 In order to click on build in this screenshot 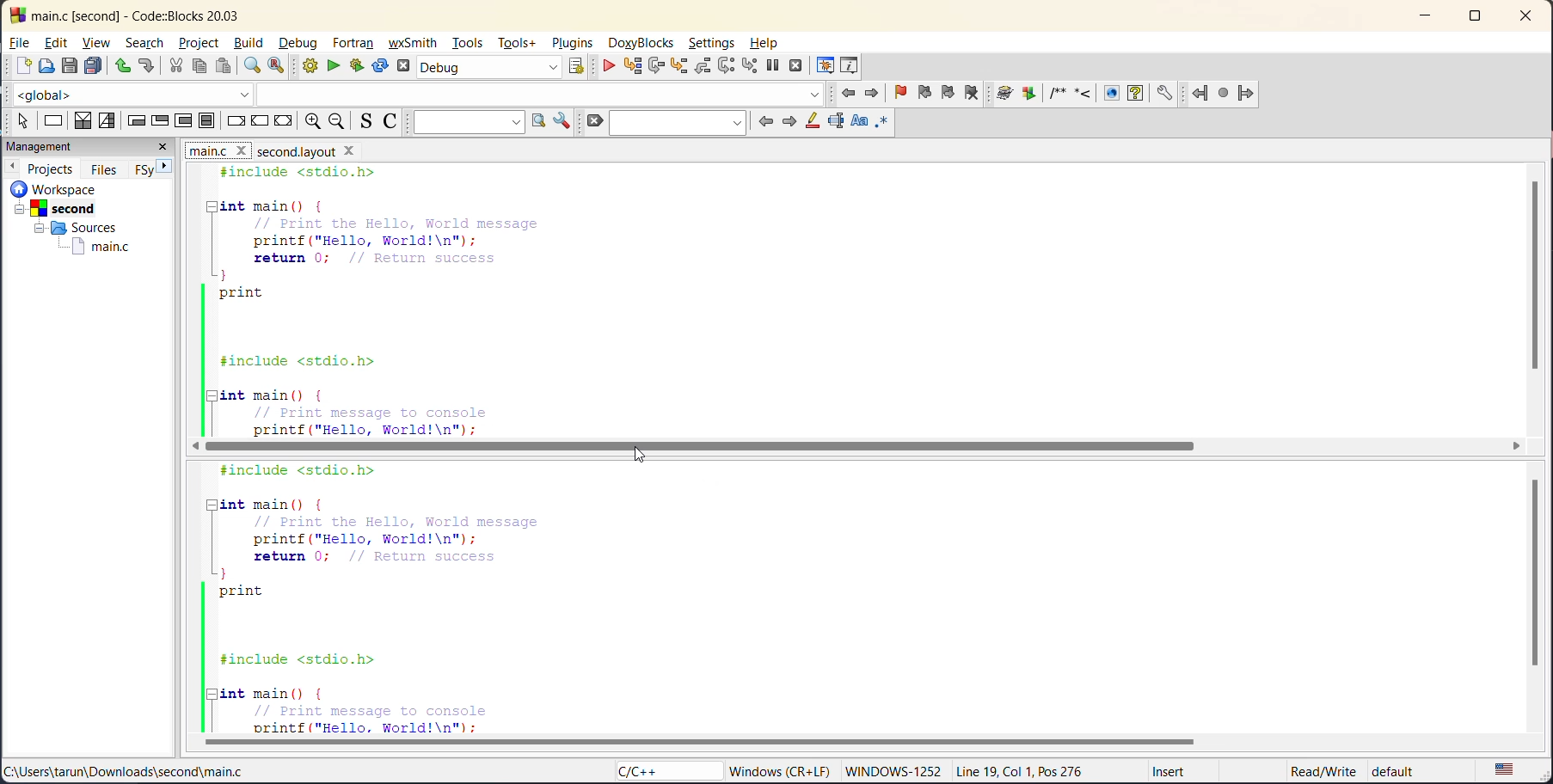, I will do `click(254, 42)`.